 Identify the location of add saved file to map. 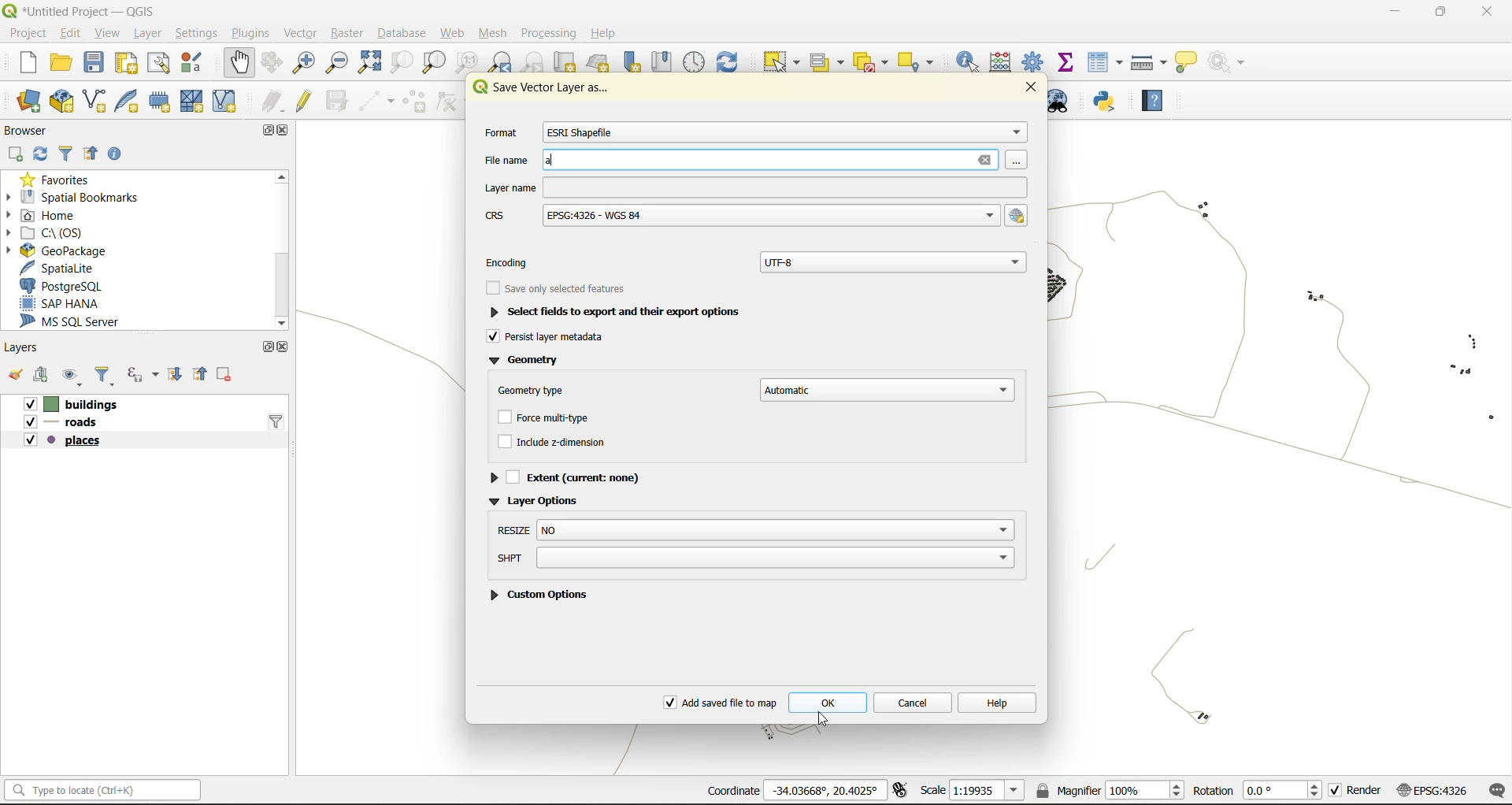
(717, 699).